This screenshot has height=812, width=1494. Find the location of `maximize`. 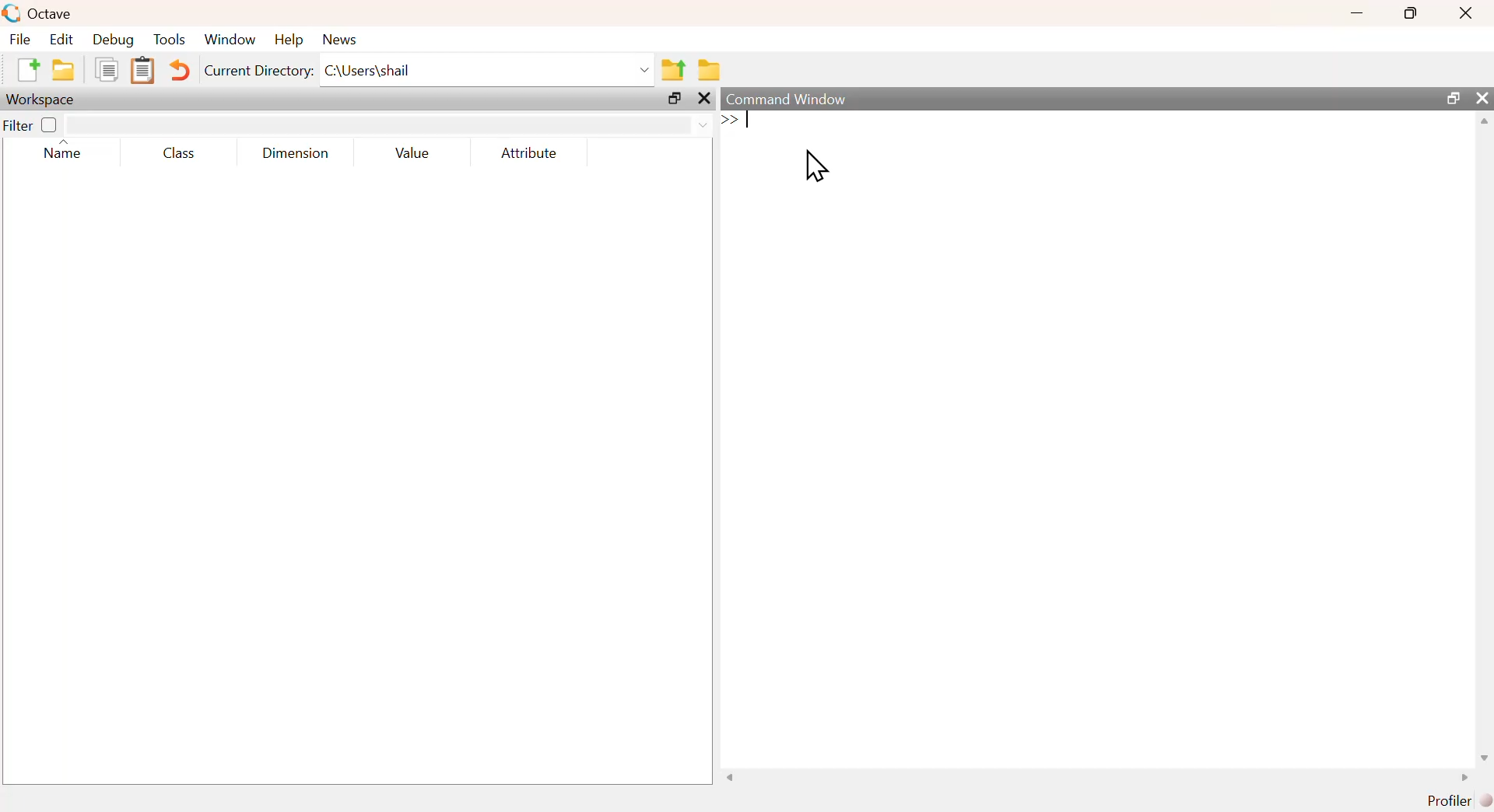

maximize is located at coordinates (670, 100).